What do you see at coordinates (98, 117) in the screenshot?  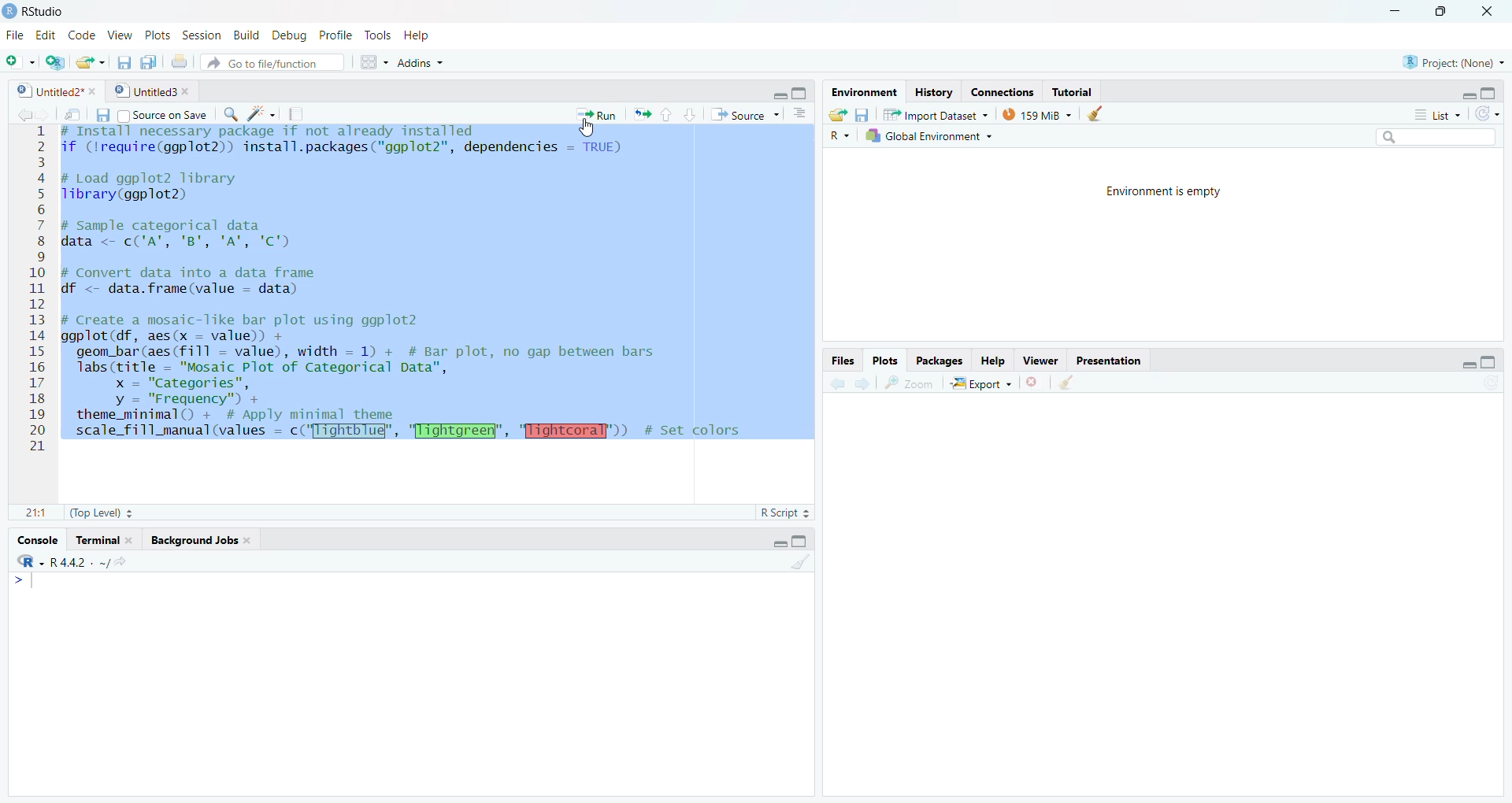 I see `Save` at bounding box center [98, 117].